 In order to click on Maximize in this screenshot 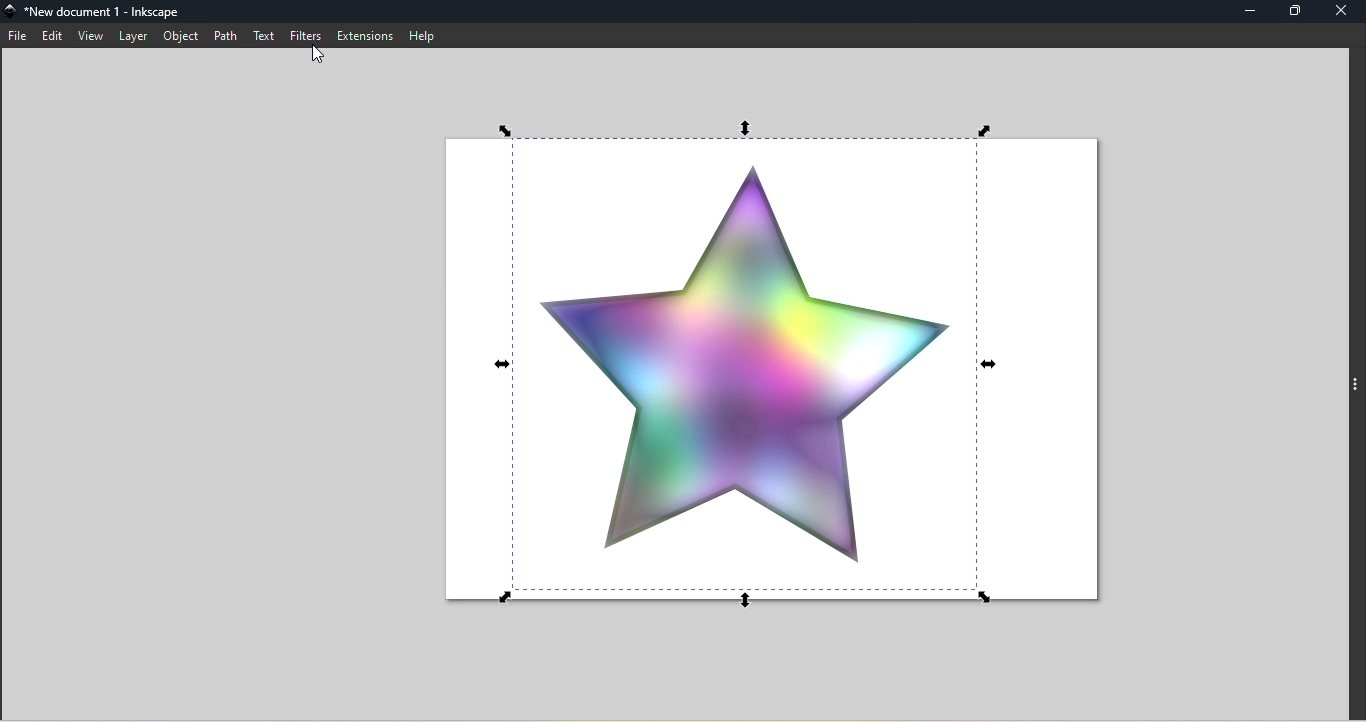, I will do `click(1300, 11)`.